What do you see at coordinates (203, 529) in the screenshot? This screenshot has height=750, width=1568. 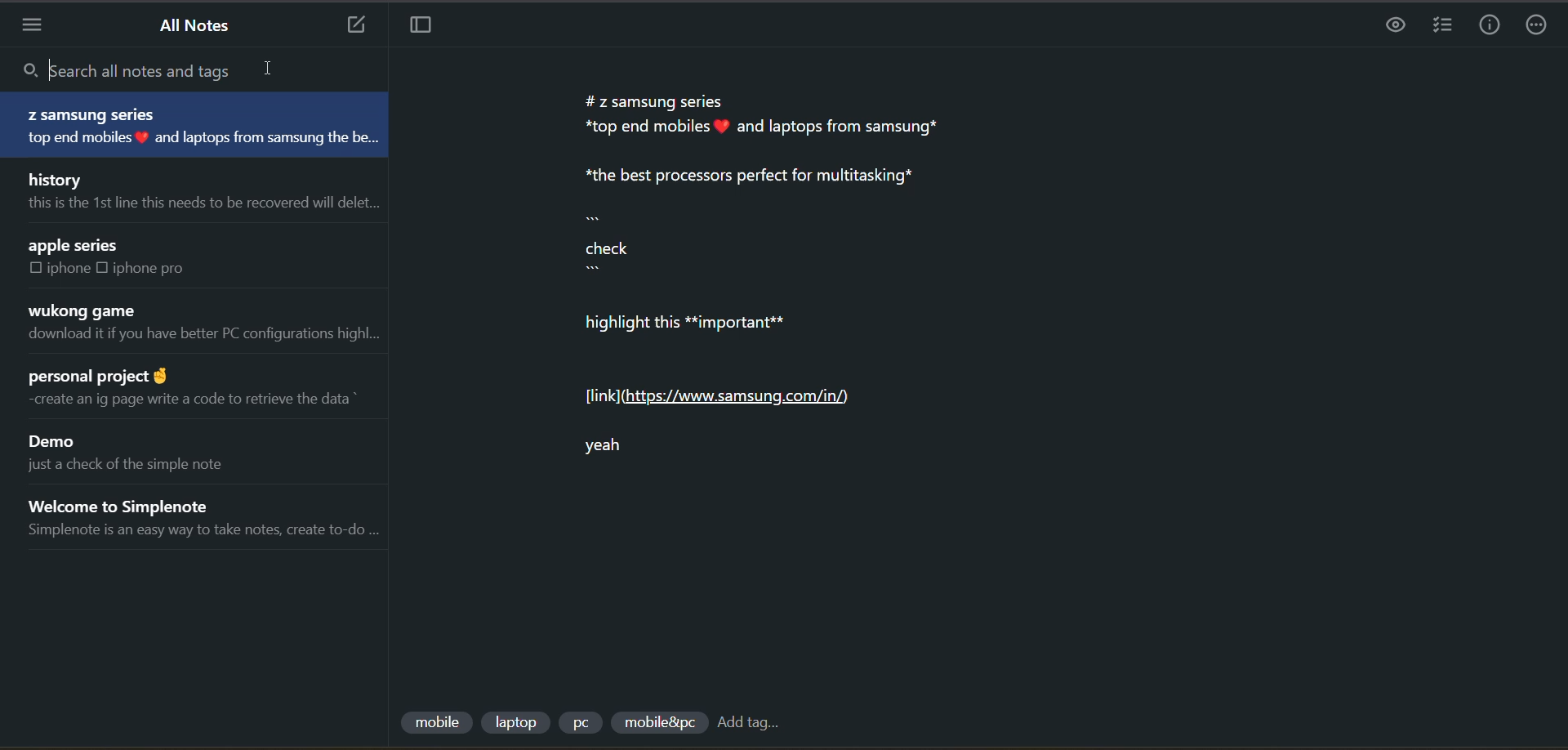 I see `Simplenote is an easy way to take notes, create to-do ...` at bounding box center [203, 529].